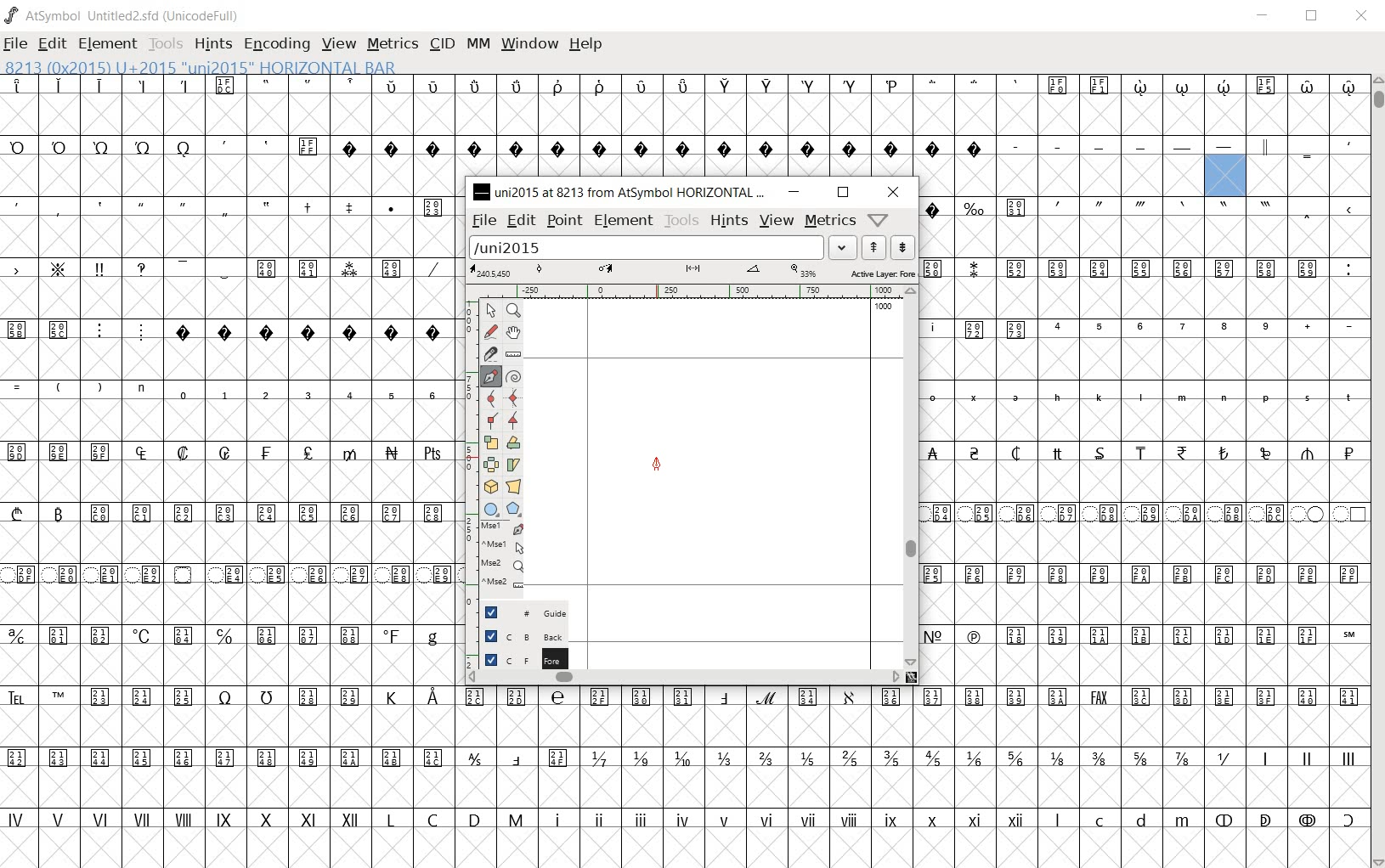  I want to click on view, so click(776, 221).